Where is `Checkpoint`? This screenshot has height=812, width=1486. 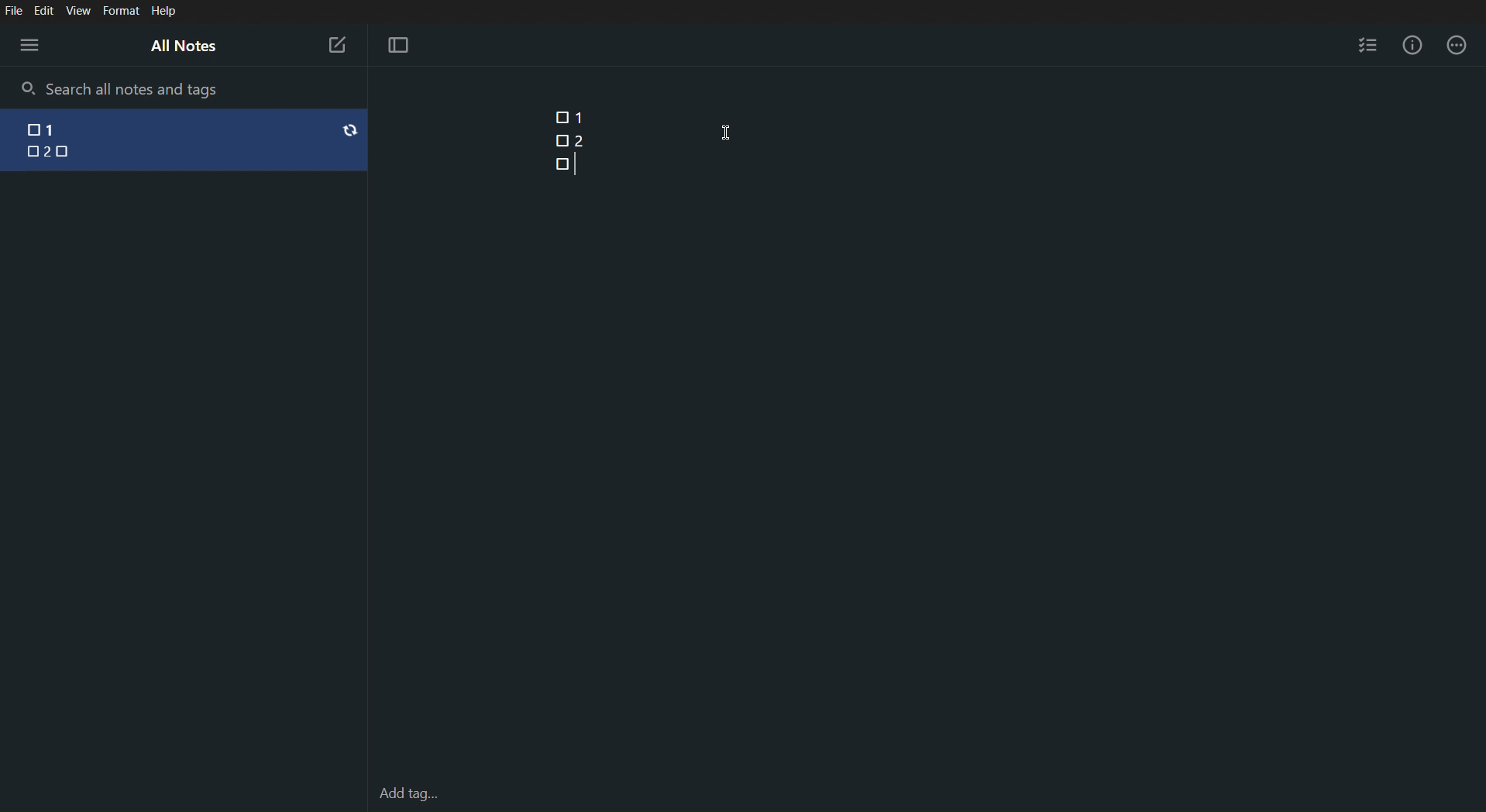
Checkpoint is located at coordinates (561, 140).